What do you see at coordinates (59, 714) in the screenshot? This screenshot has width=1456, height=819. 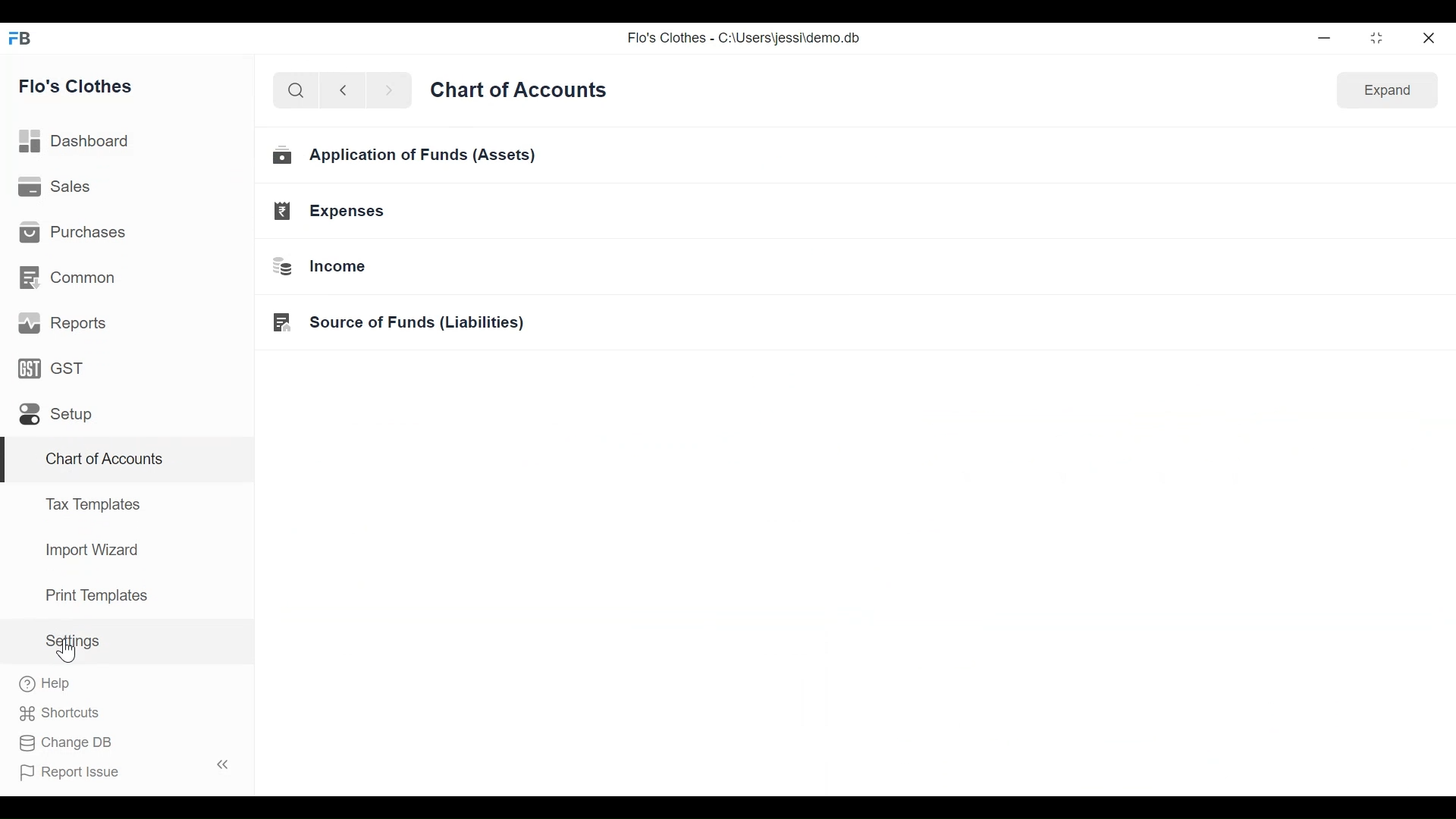 I see `shortcuts` at bounding box center [59, 714].